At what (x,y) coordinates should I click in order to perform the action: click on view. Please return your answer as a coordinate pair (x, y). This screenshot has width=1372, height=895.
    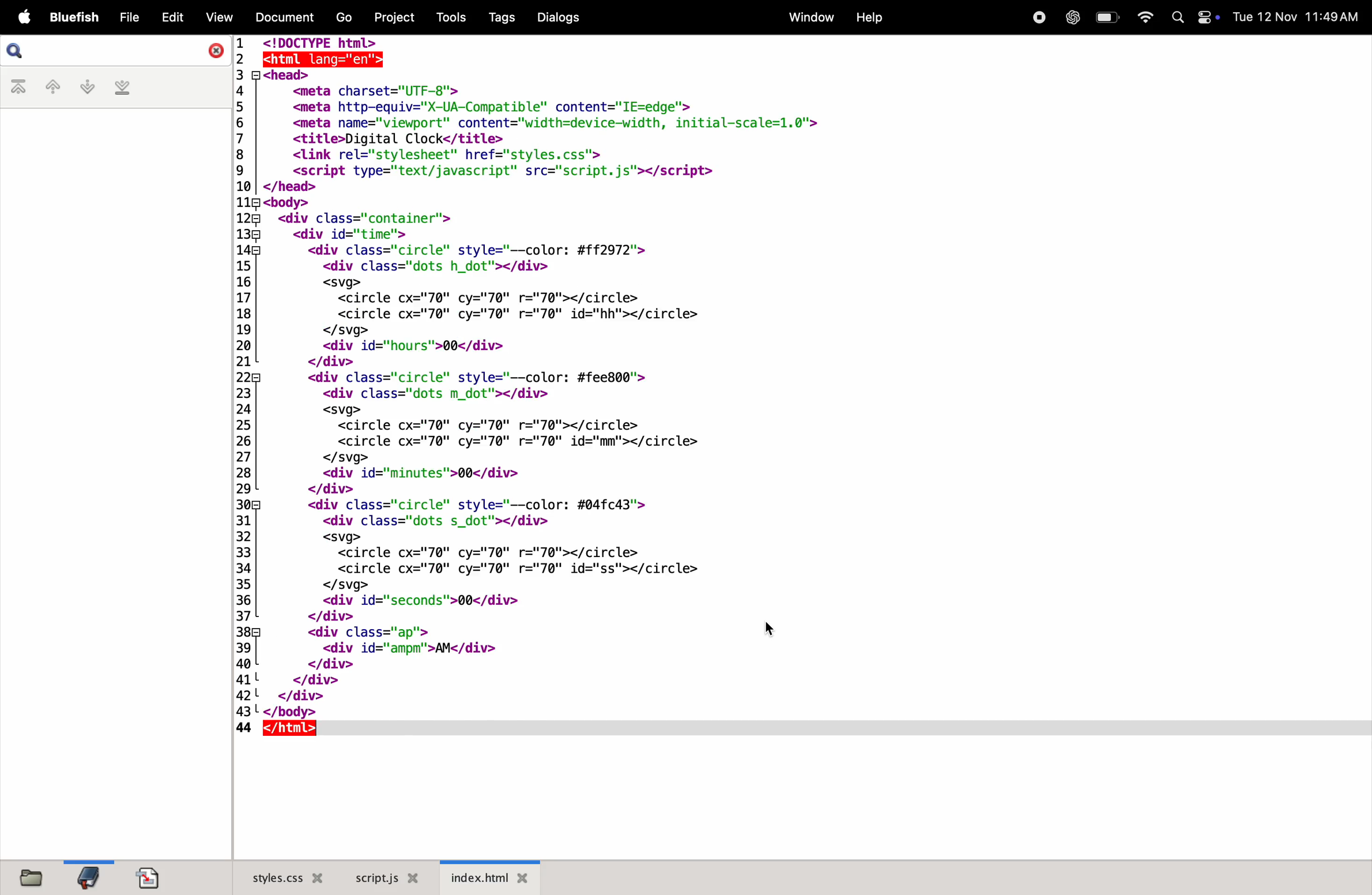
    Looking at the image, I should click on (216, 17).